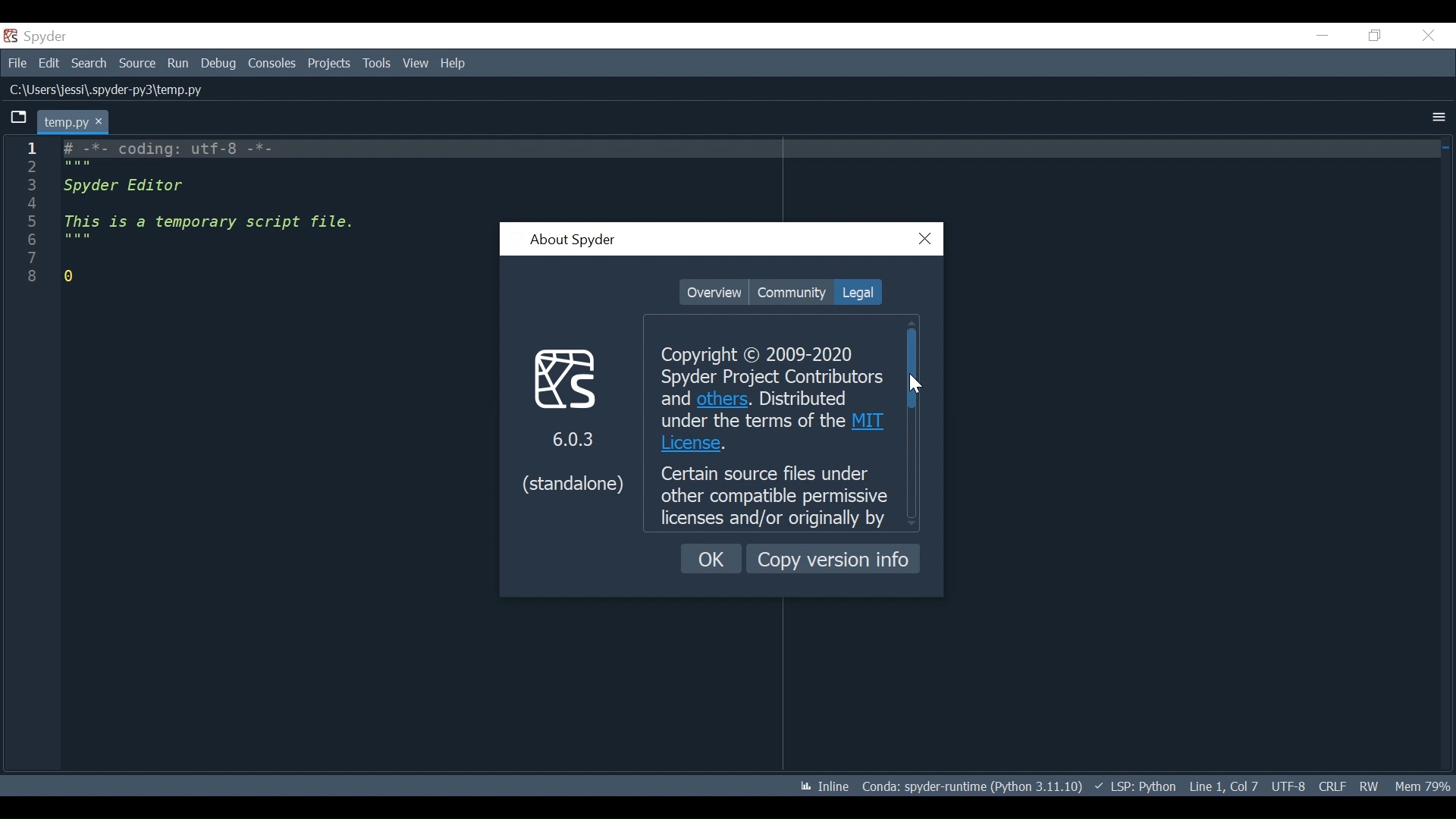 The width and height of the screenshot is (1456, 819). What do you see at coordinates (1368, 786) in the screenshot?
I see `RW` at bounding box center [1368, 786].